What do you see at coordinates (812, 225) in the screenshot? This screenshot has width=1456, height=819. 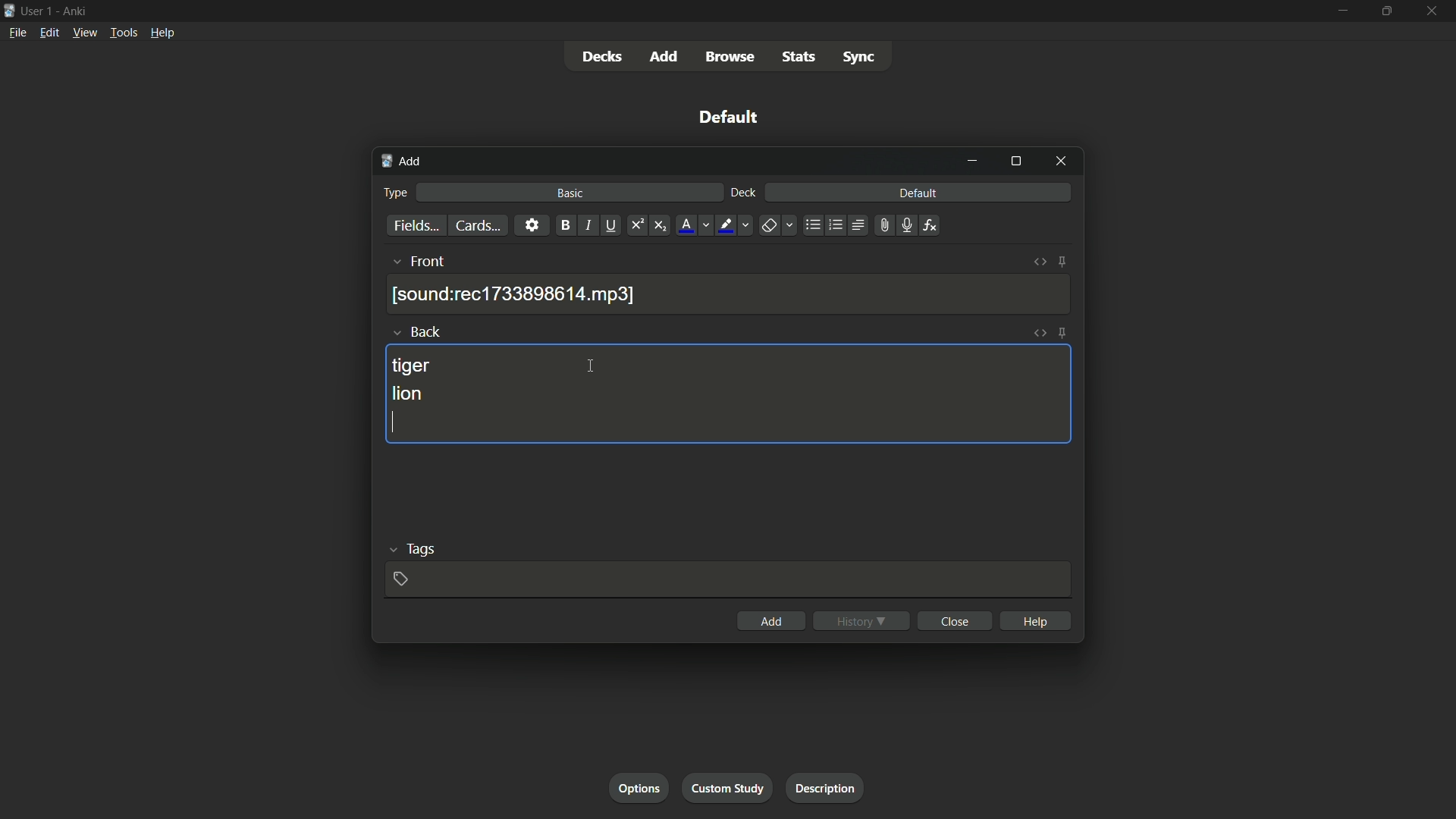 I see `unordered list` at bounding box center [812, 225].